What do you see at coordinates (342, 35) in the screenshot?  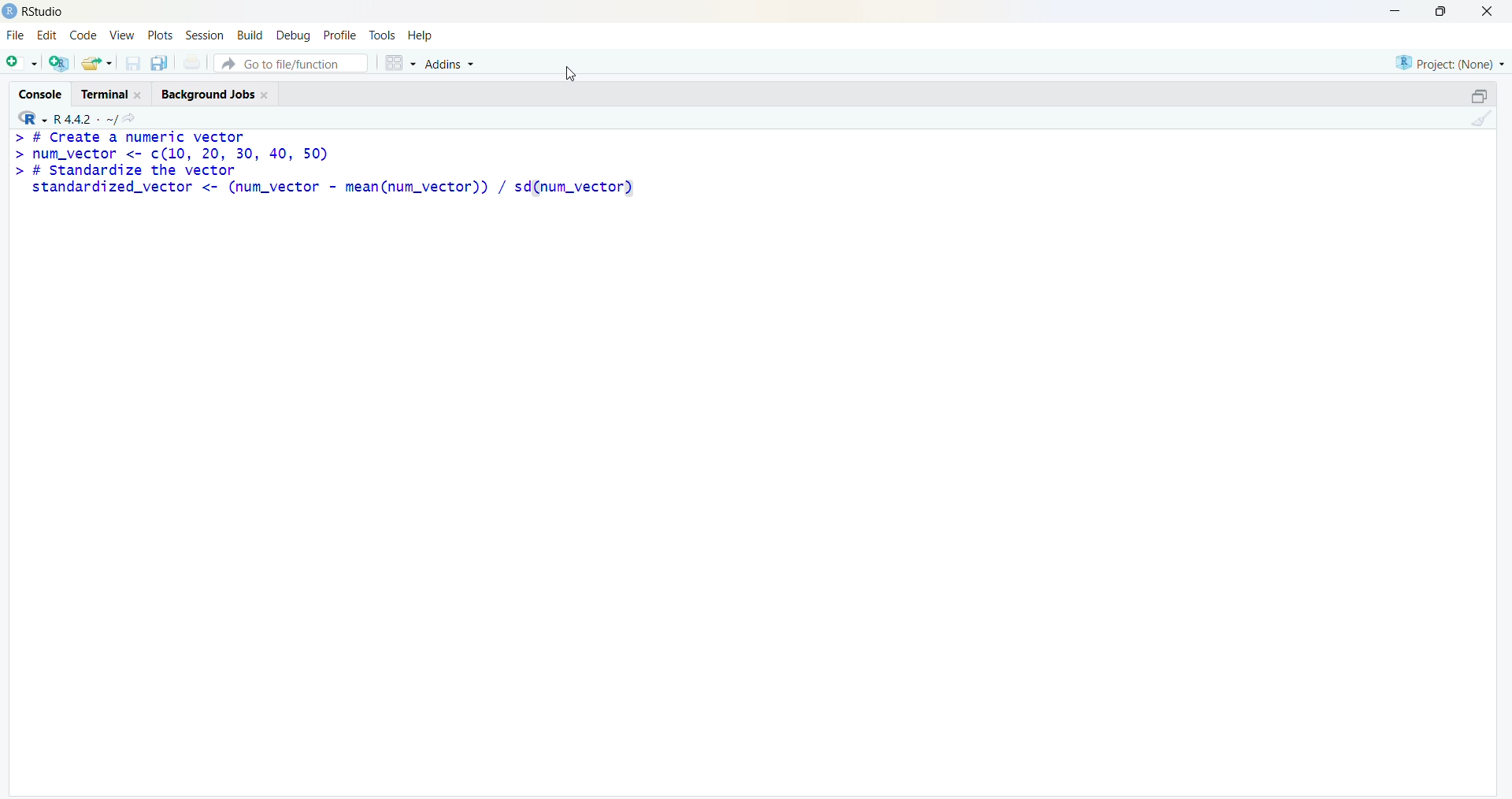 I see `profile` at bounding box center [342, 35].